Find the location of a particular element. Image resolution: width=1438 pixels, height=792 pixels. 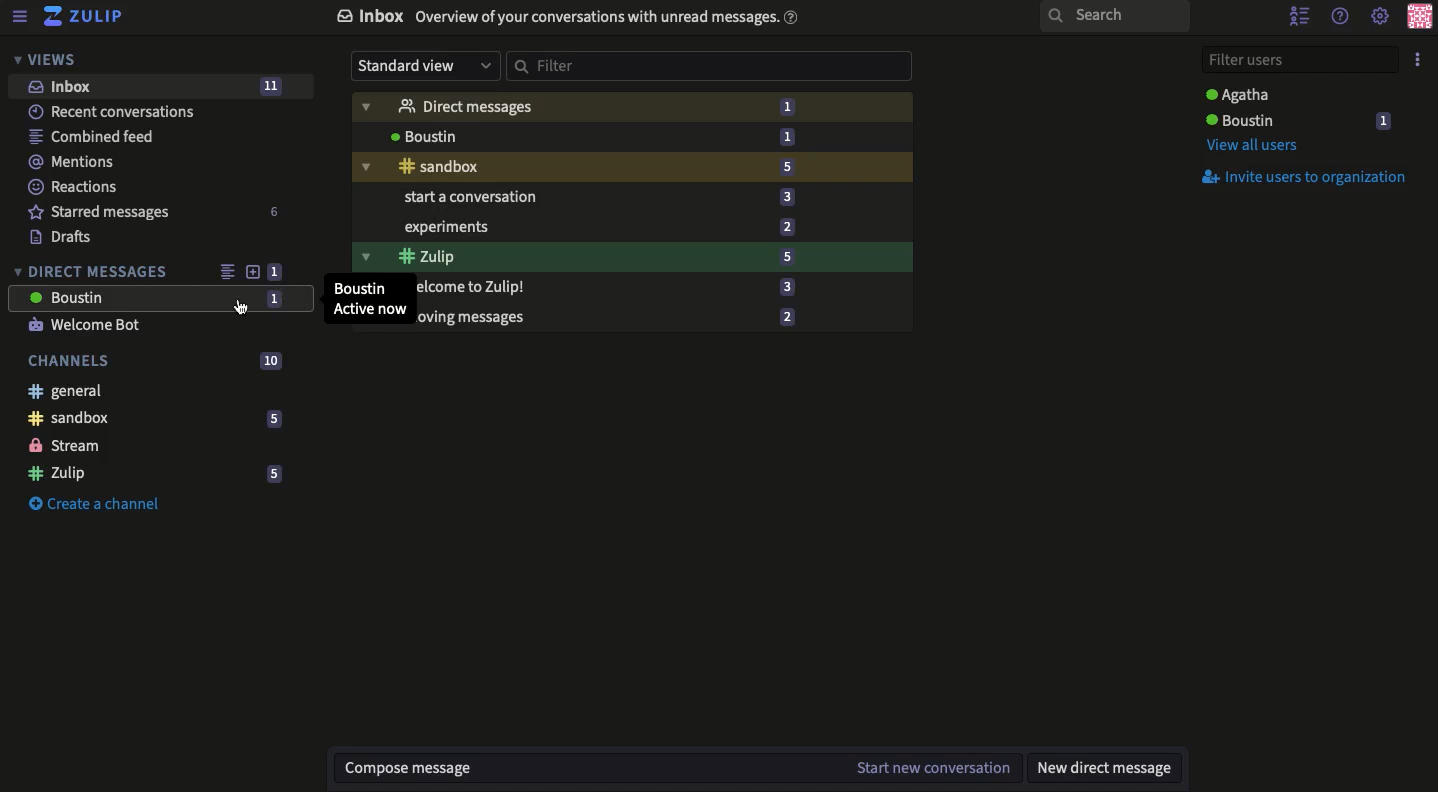

Inbox is located at coordinates (163, 86).